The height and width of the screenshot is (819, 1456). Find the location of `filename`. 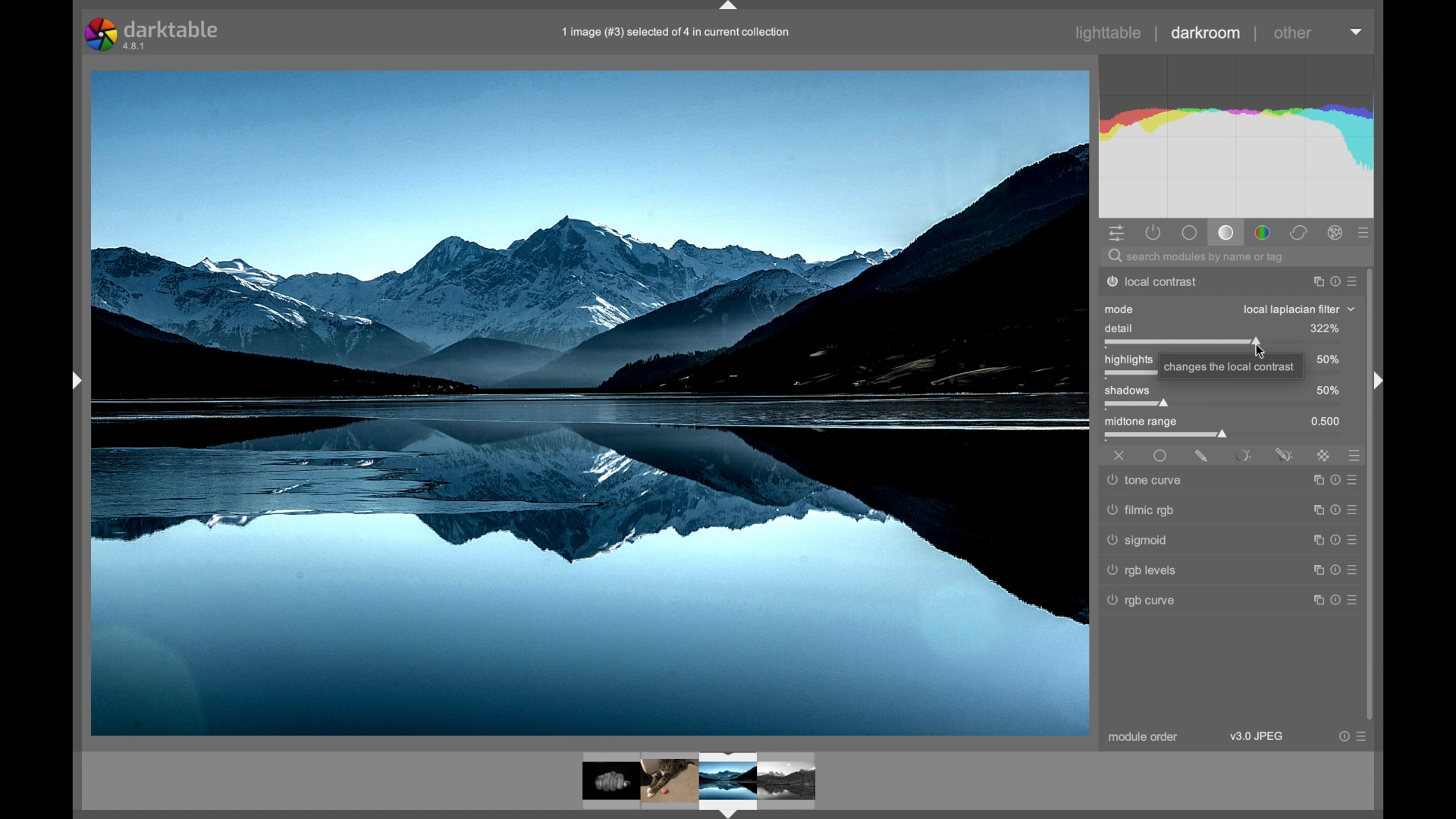

filename is located at coordinates (675, 33).